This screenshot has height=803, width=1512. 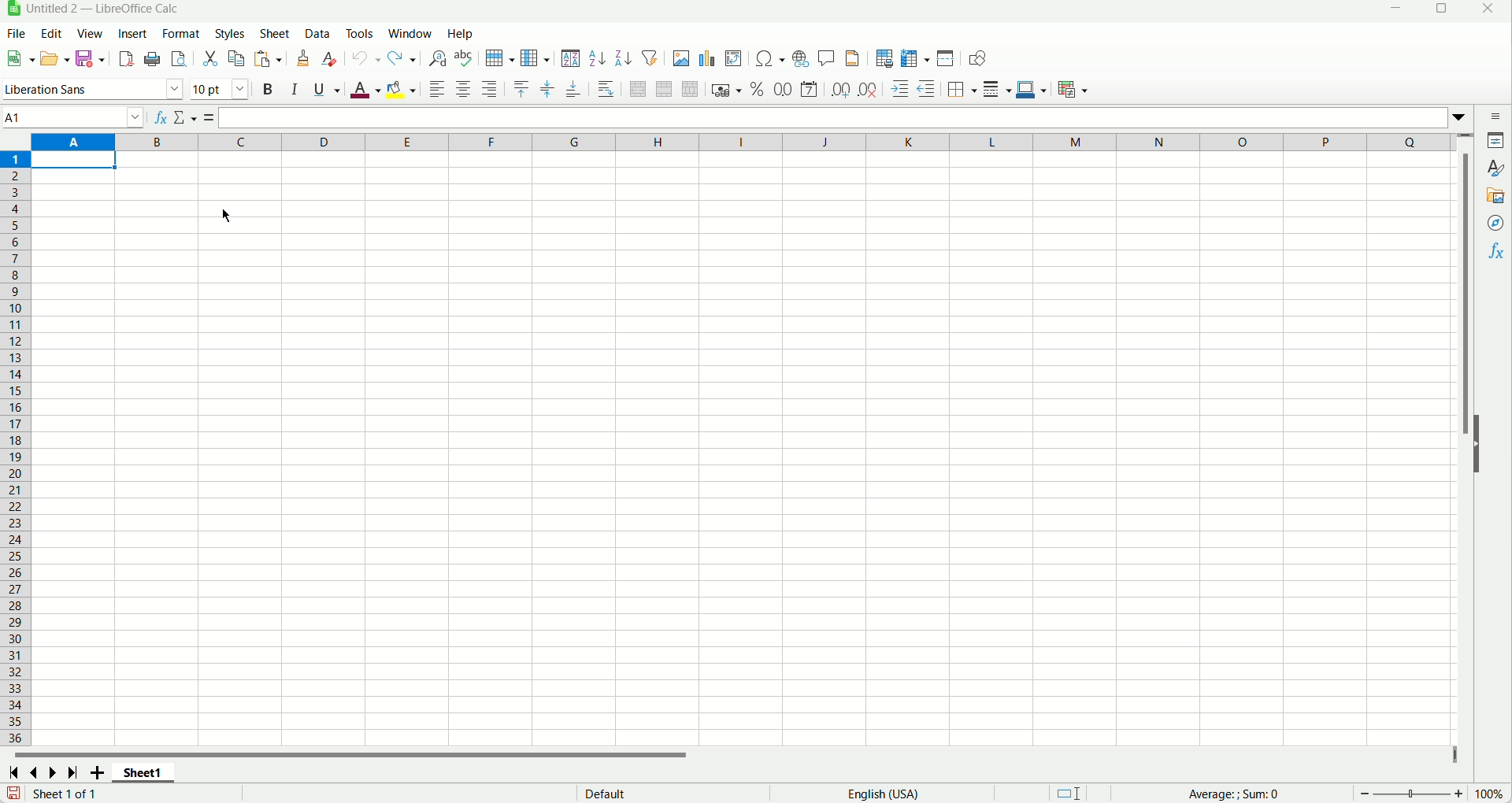 What do you see at coordinates (1261, 794) in the screenshot?
I see `Formula` at bounding box center [1261, 794].